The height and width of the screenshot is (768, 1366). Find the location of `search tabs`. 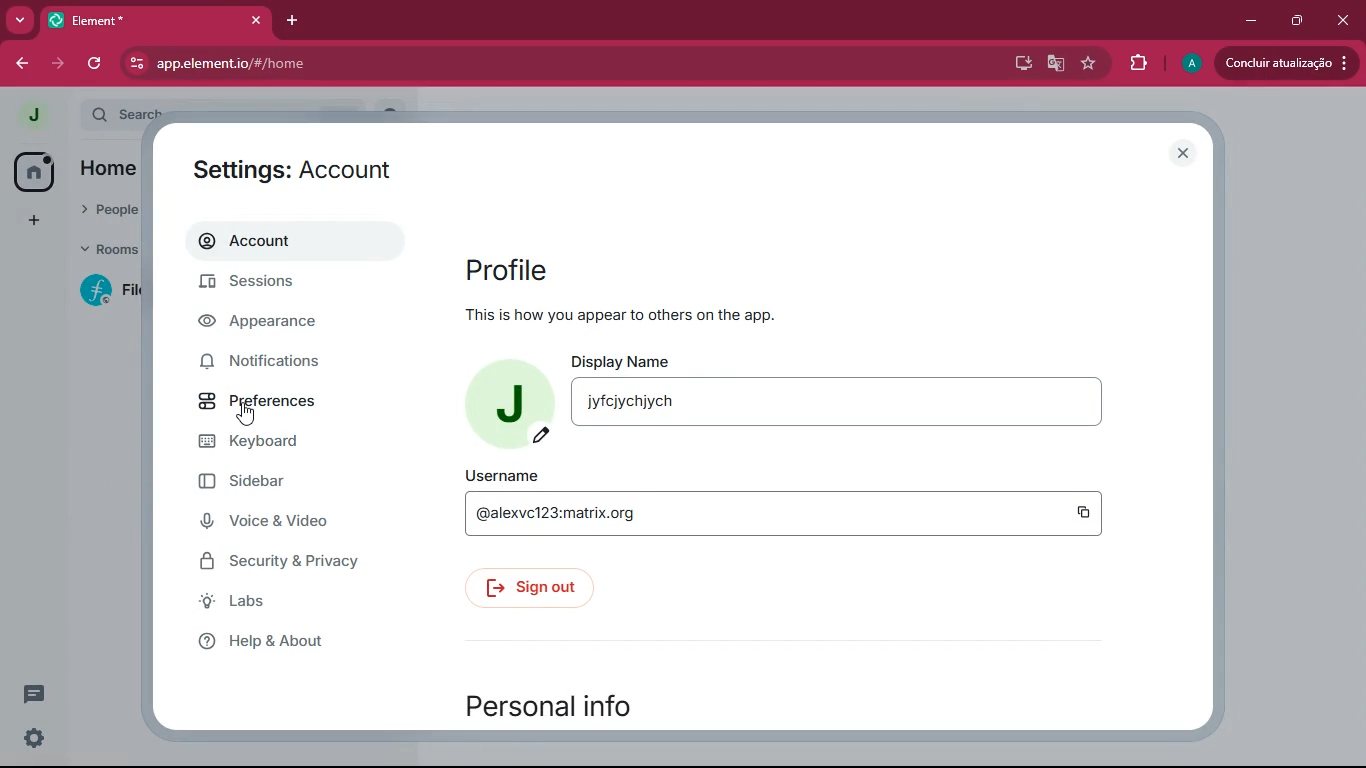

search tabs is located at coordinates (21, 22).